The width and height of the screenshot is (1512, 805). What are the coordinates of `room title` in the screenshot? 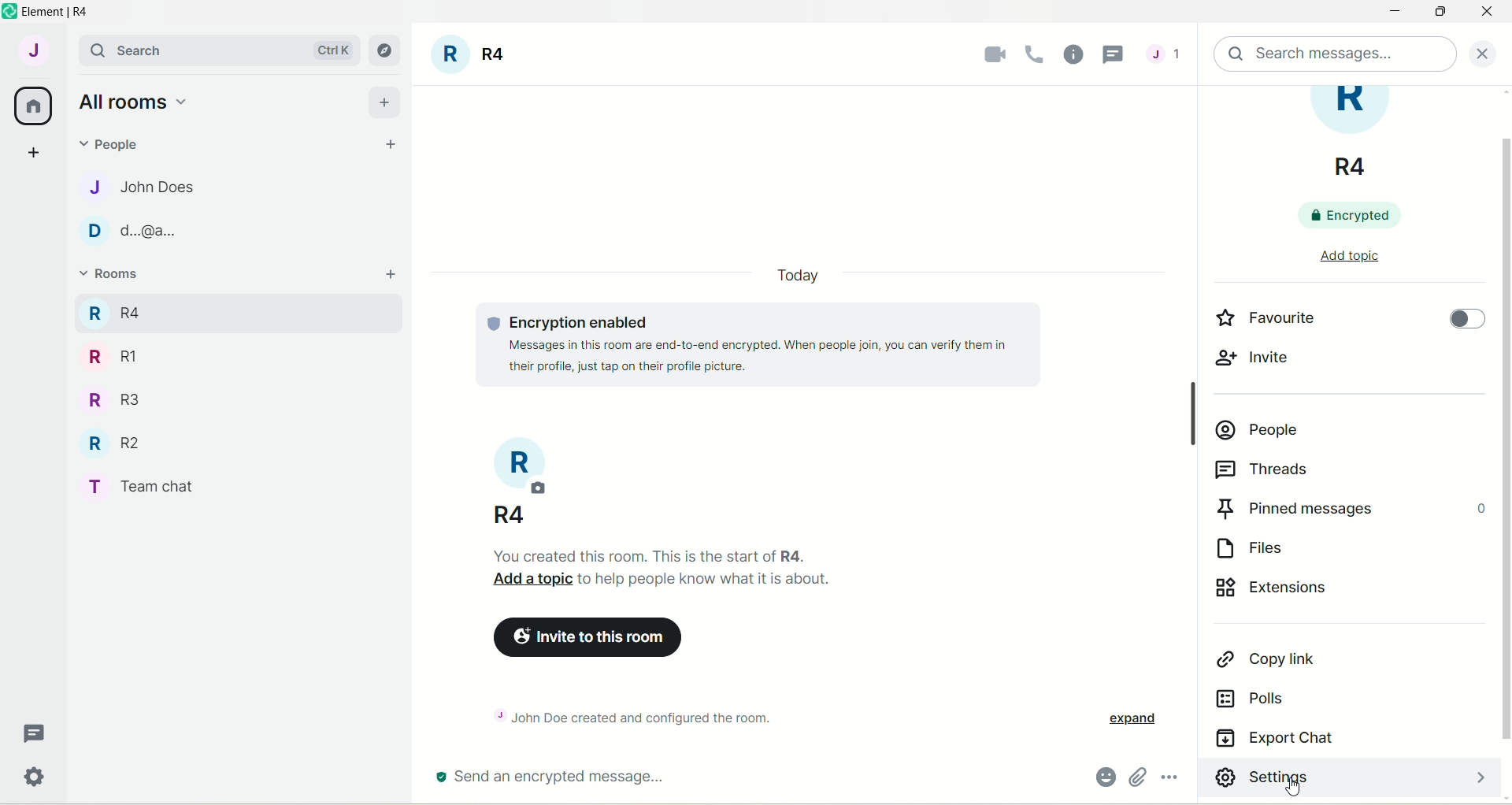 It's located at (471, 57).